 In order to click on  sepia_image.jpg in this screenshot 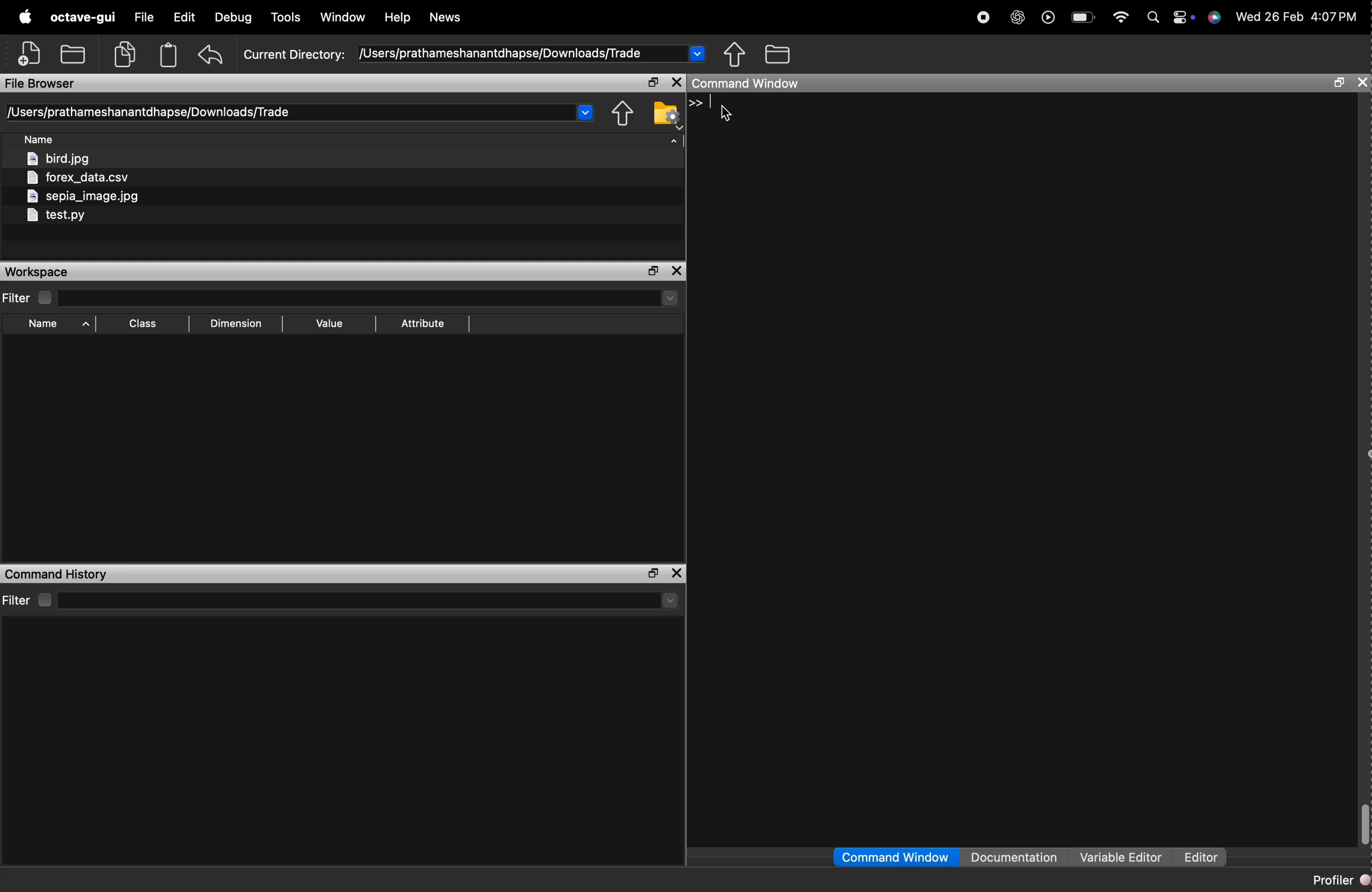, I will do `click(84, 196)`.